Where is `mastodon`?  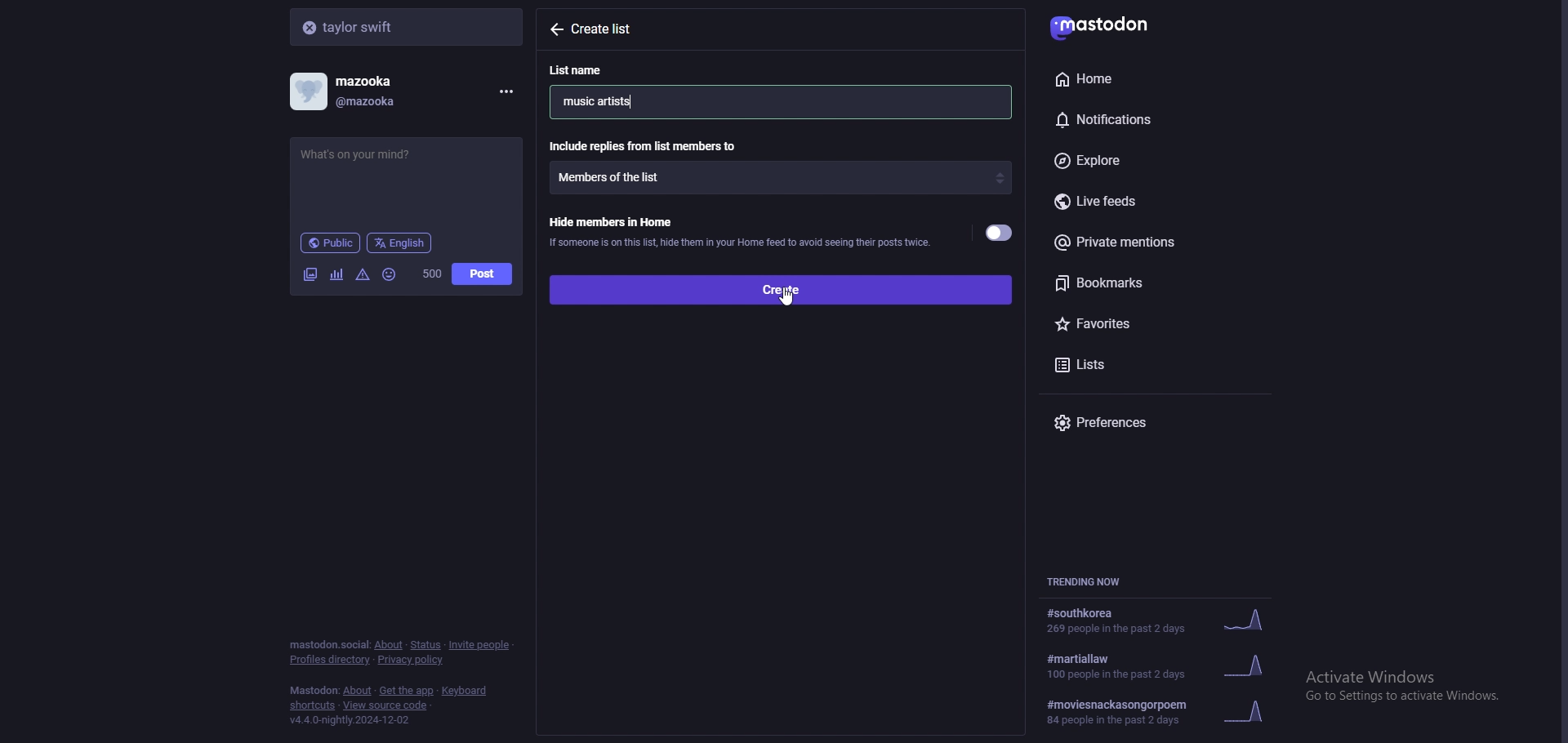 mastodon is located at coordinates (1111, 24).